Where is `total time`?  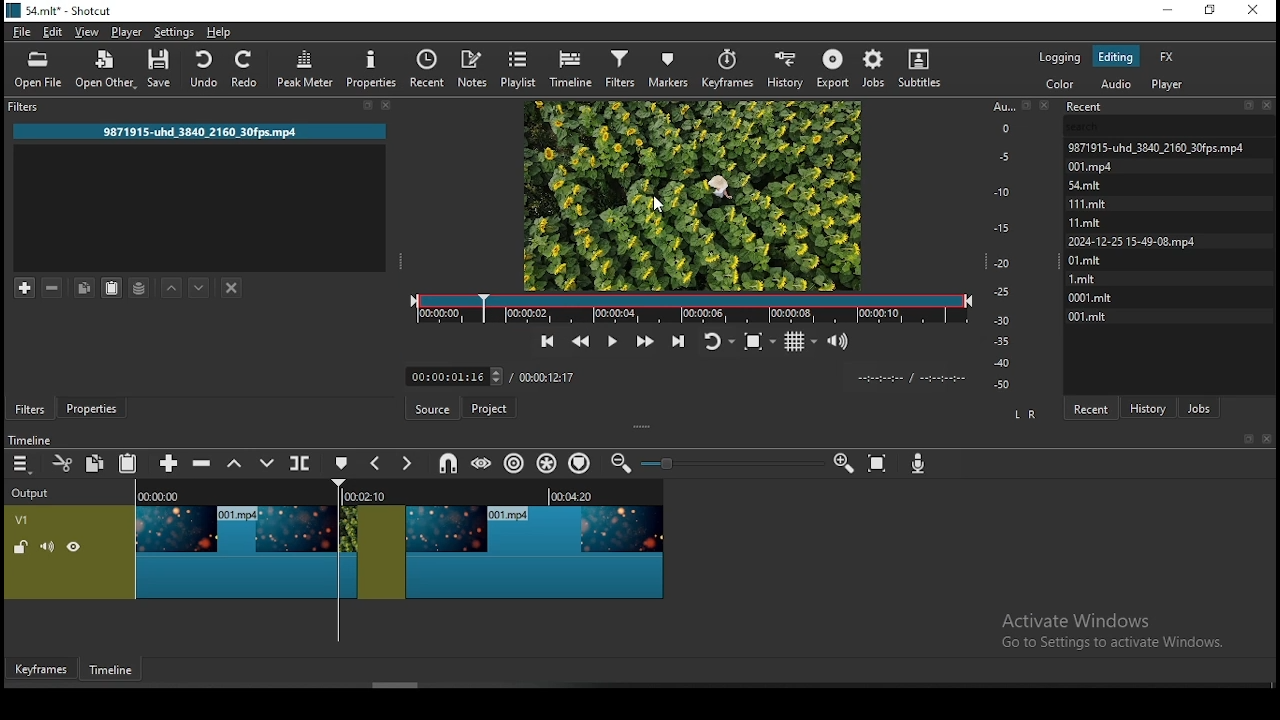
total time is located at coordinates (547, 377).